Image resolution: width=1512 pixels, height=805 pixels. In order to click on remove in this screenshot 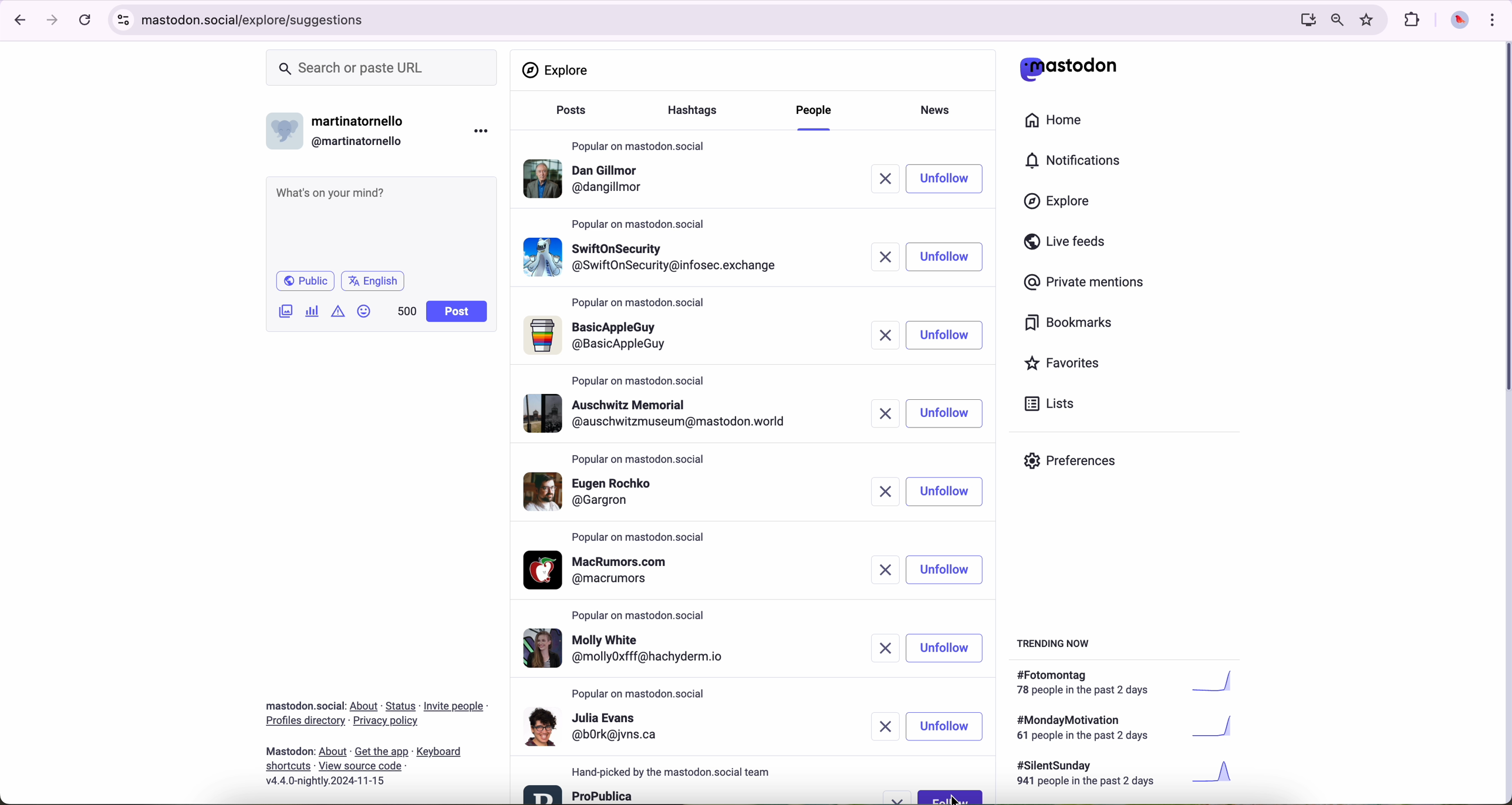, I will do `click(883, 491)`.